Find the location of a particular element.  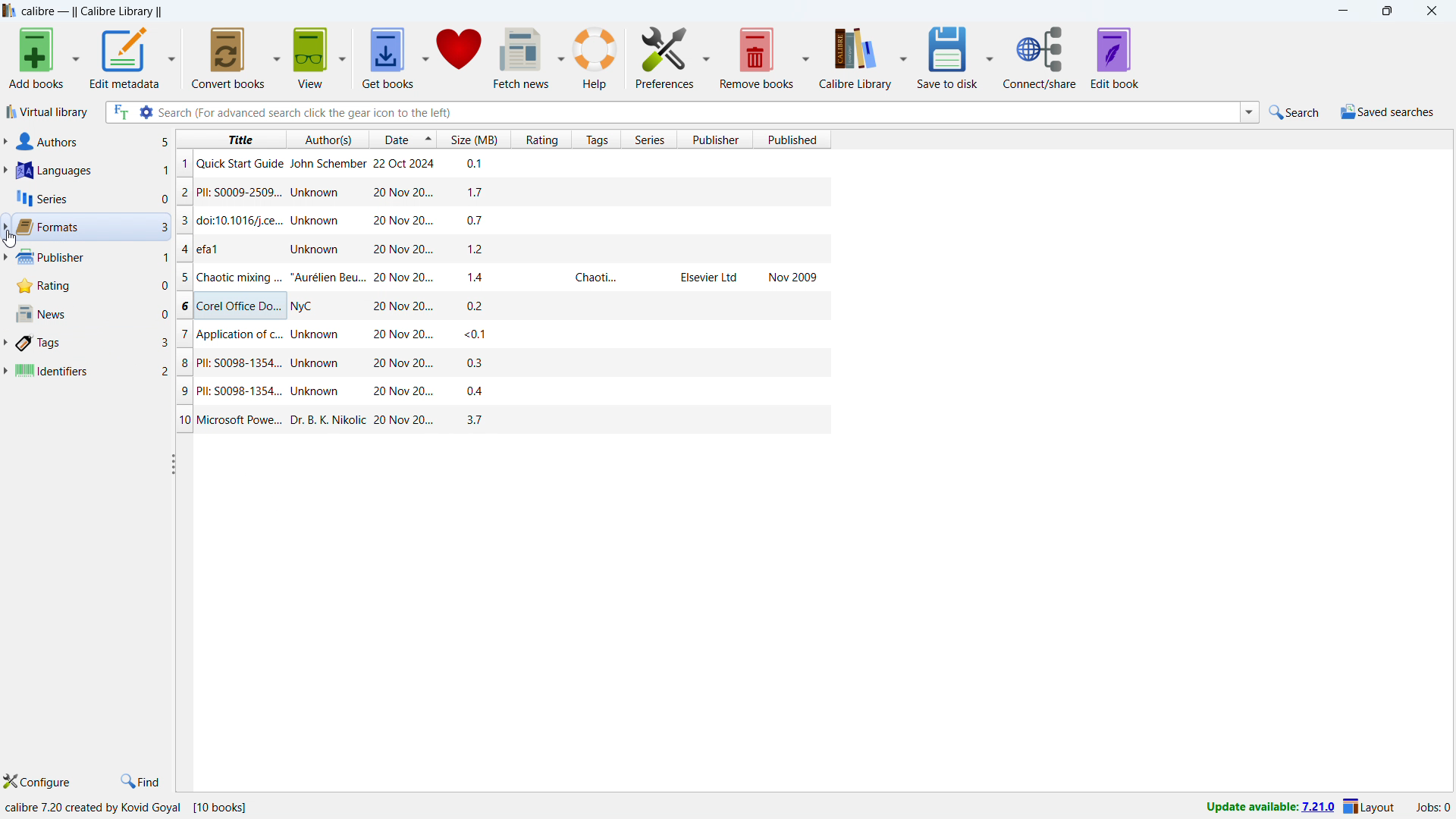

donate to calibre is located at coordinates (459, 56).